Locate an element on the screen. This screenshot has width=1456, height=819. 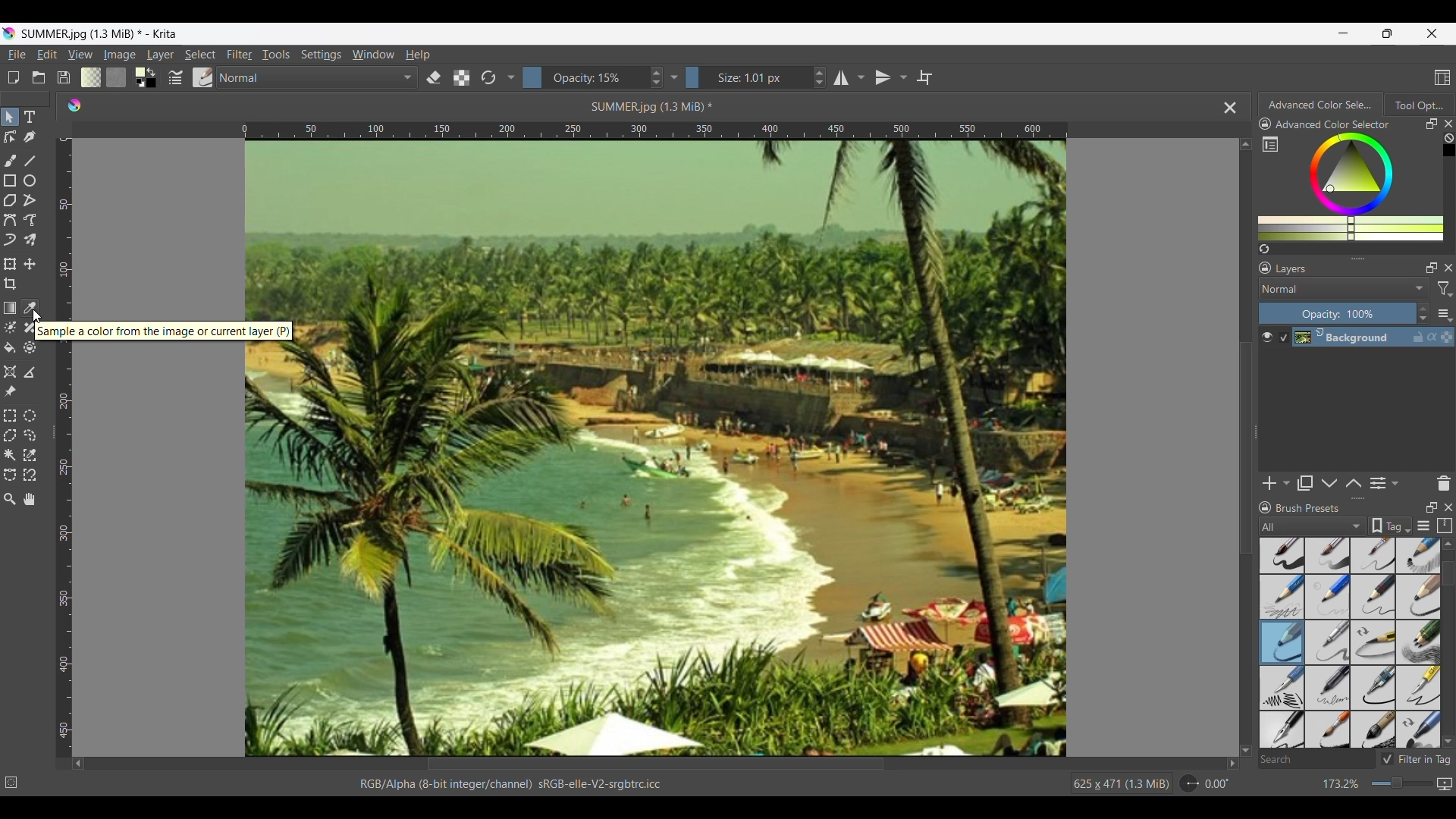
Float docker is located at coordinates (1432, 124).